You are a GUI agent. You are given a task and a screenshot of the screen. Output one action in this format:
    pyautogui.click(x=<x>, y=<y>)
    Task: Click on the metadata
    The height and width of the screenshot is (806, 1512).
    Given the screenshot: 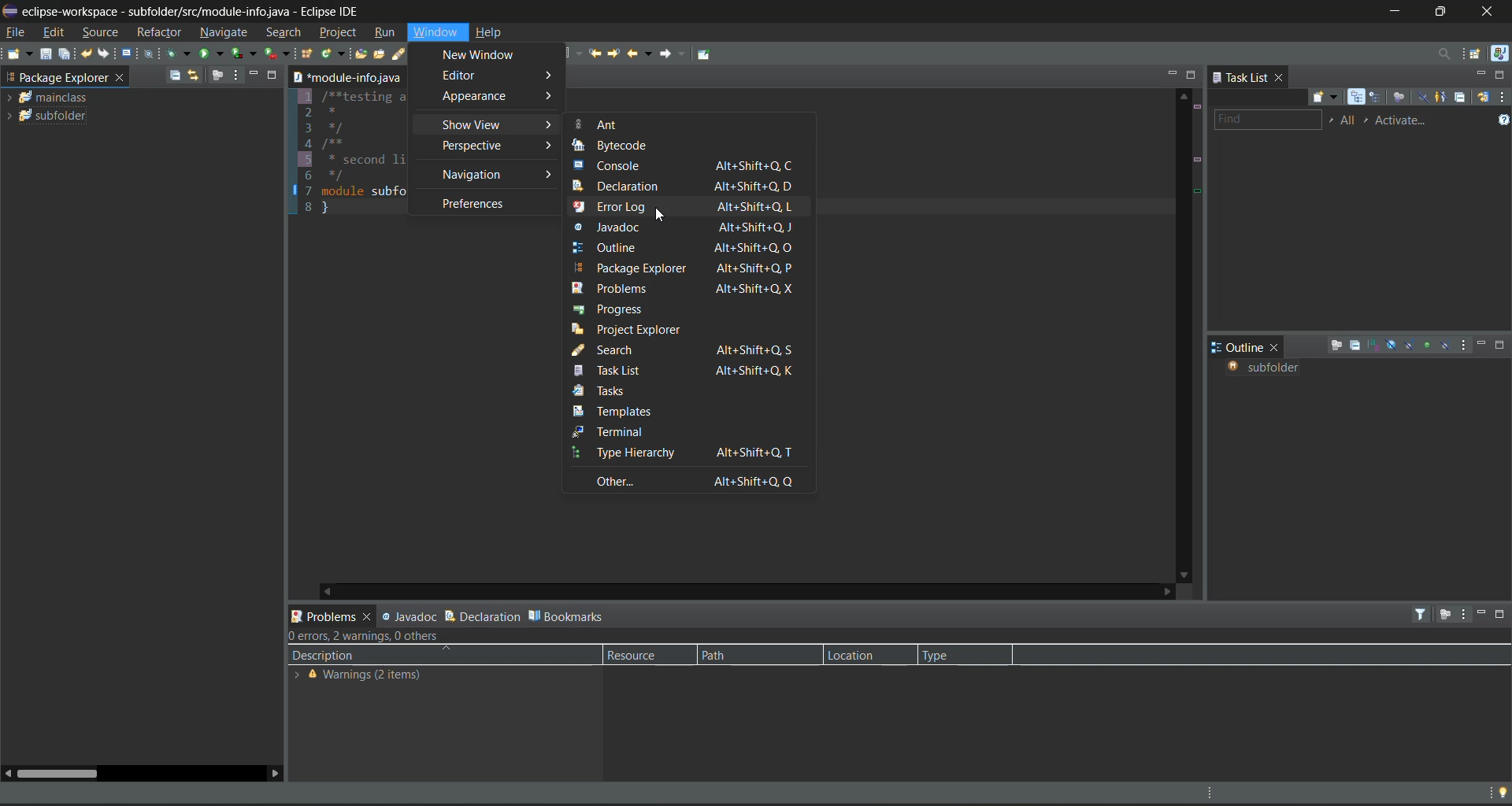 What is the action you would take?
    pyautogui.click(x=368, y=638)
    